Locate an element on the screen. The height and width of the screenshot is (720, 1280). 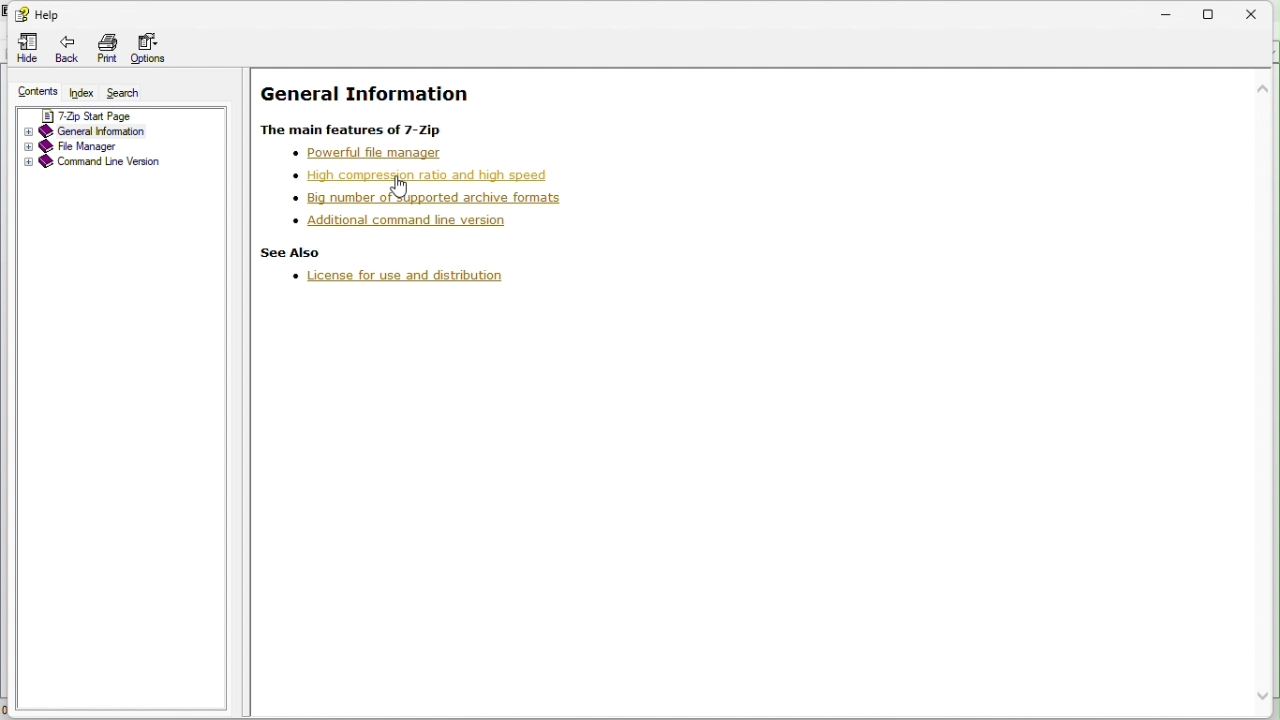
see also is located at coordinates (293, 253).